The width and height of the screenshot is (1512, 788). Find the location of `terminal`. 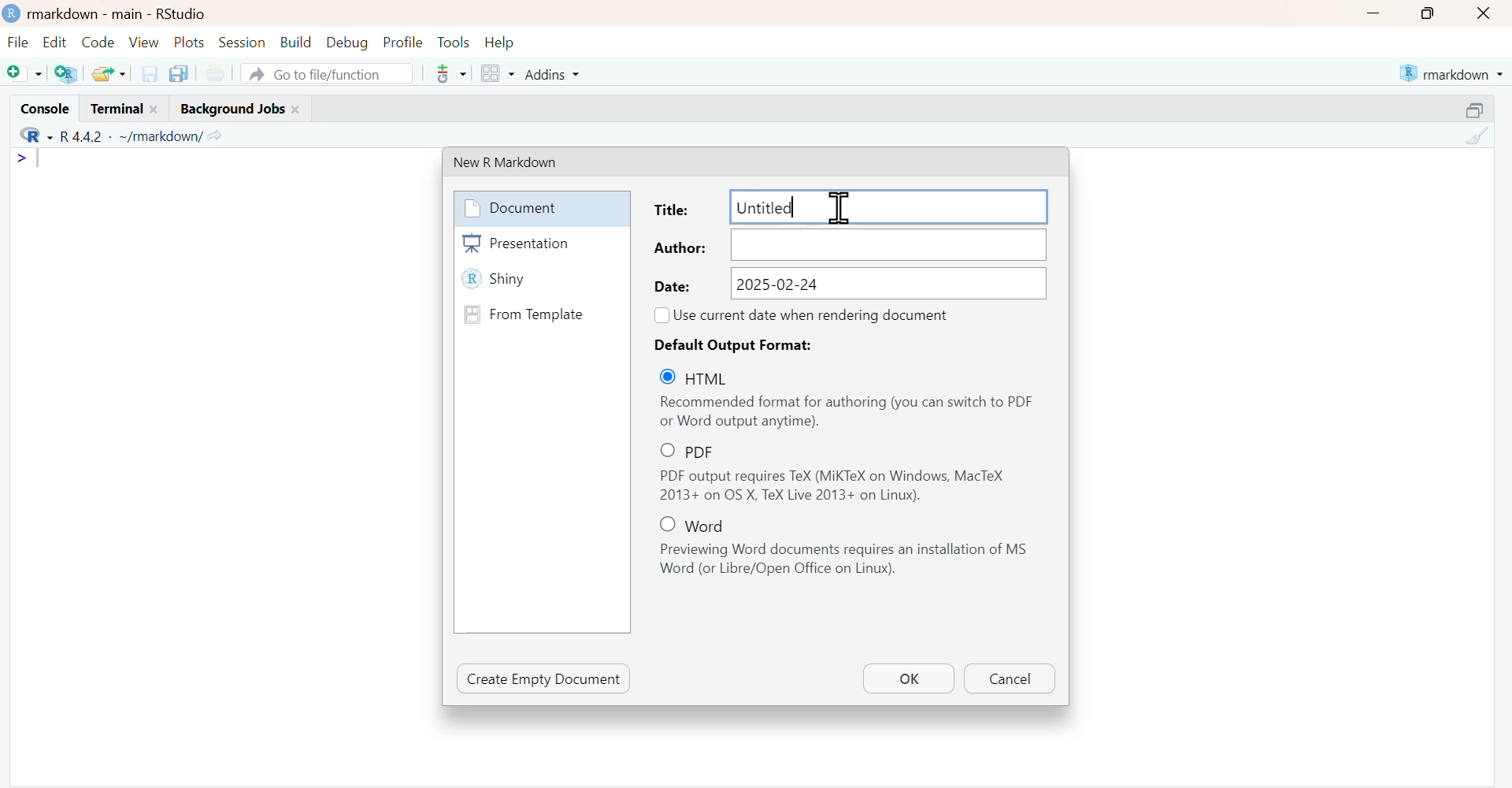

terminal is located at coordinates (124, 109).